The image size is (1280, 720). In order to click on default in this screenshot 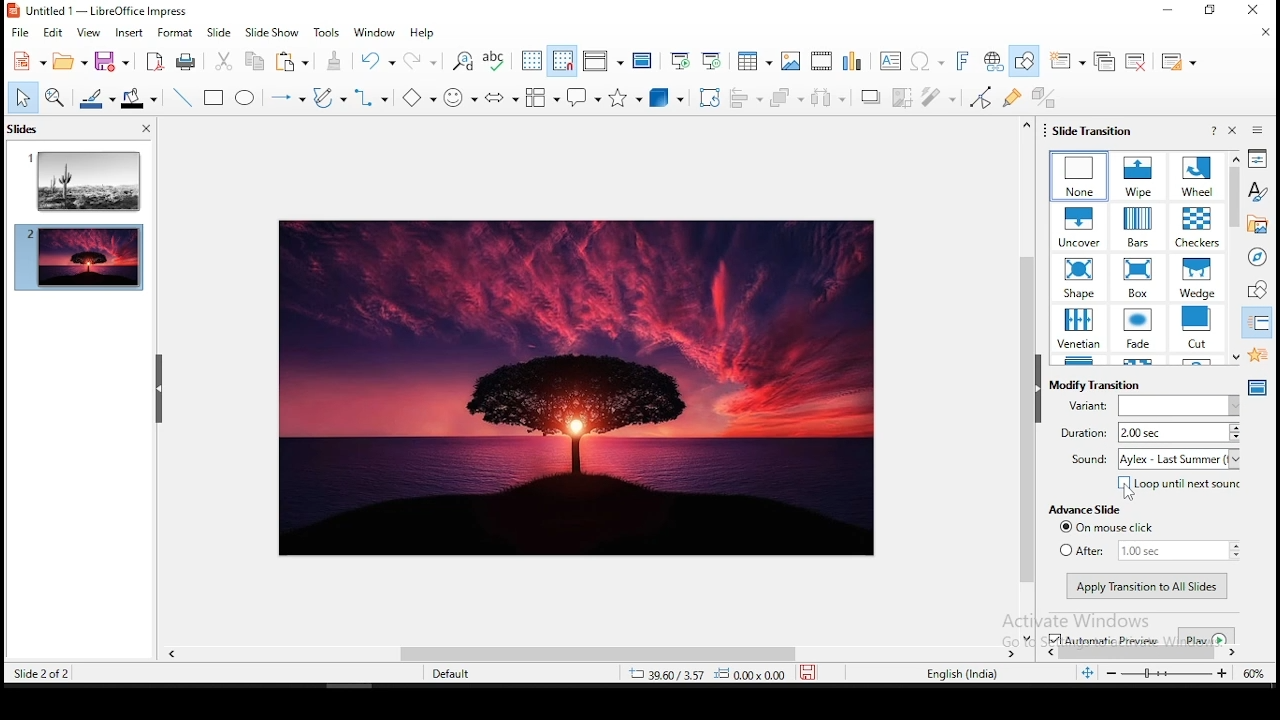, I will do `click(456, 676)`.